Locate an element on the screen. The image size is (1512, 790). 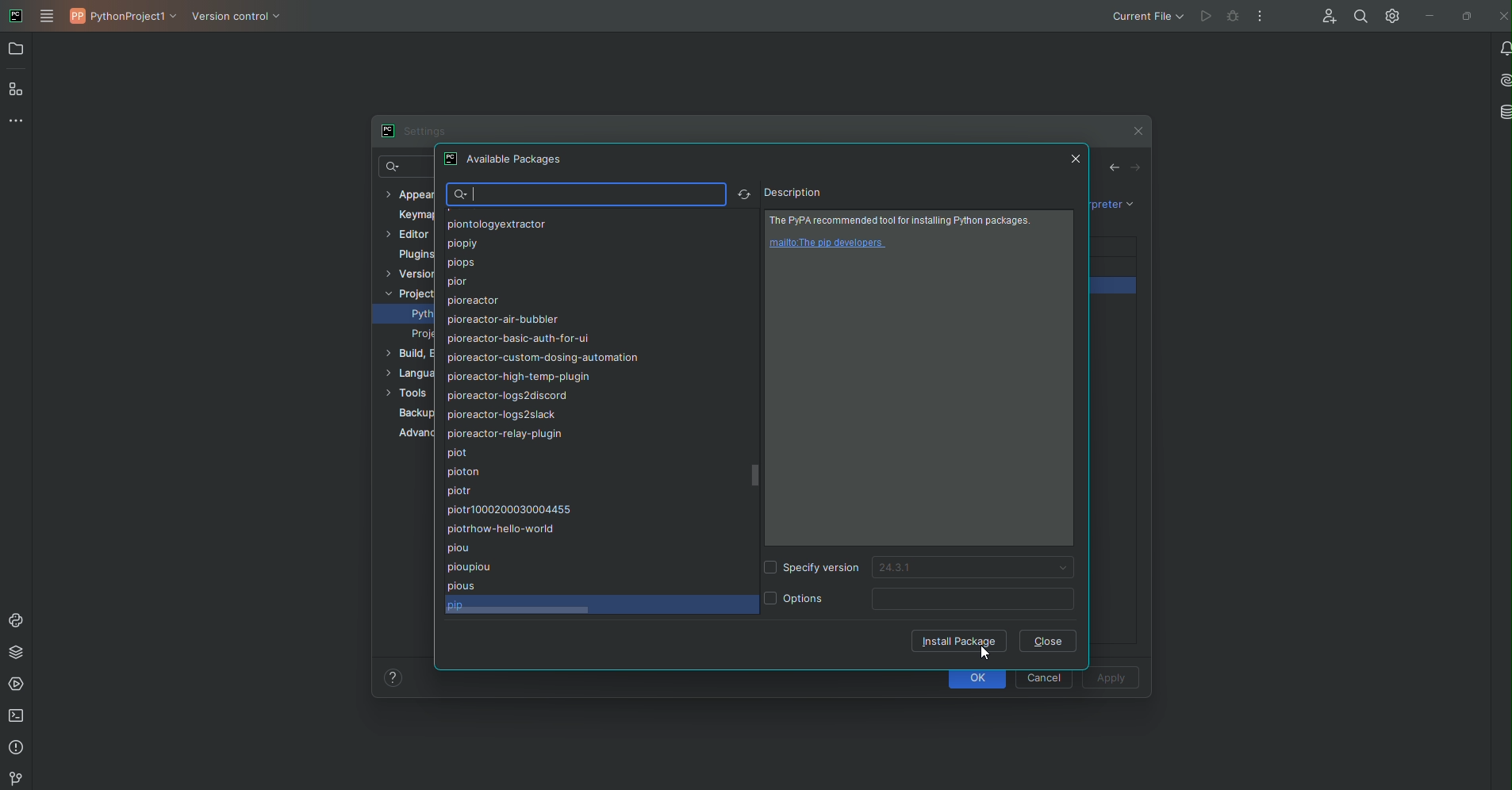
Editor is located at coordinates (407, 234).